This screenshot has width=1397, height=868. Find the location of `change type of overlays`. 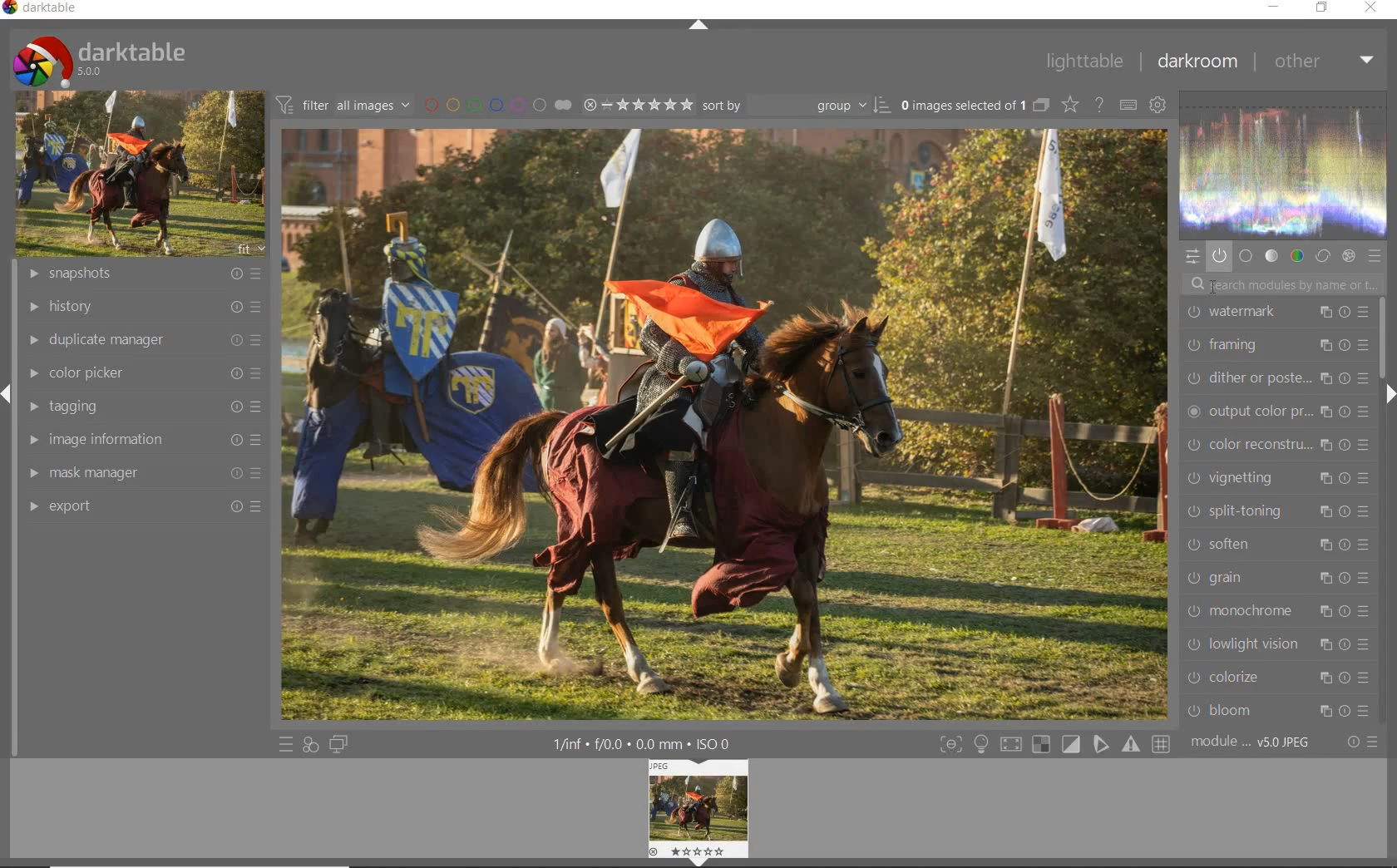

change type of overlays is located at coordinates (1071, 104).